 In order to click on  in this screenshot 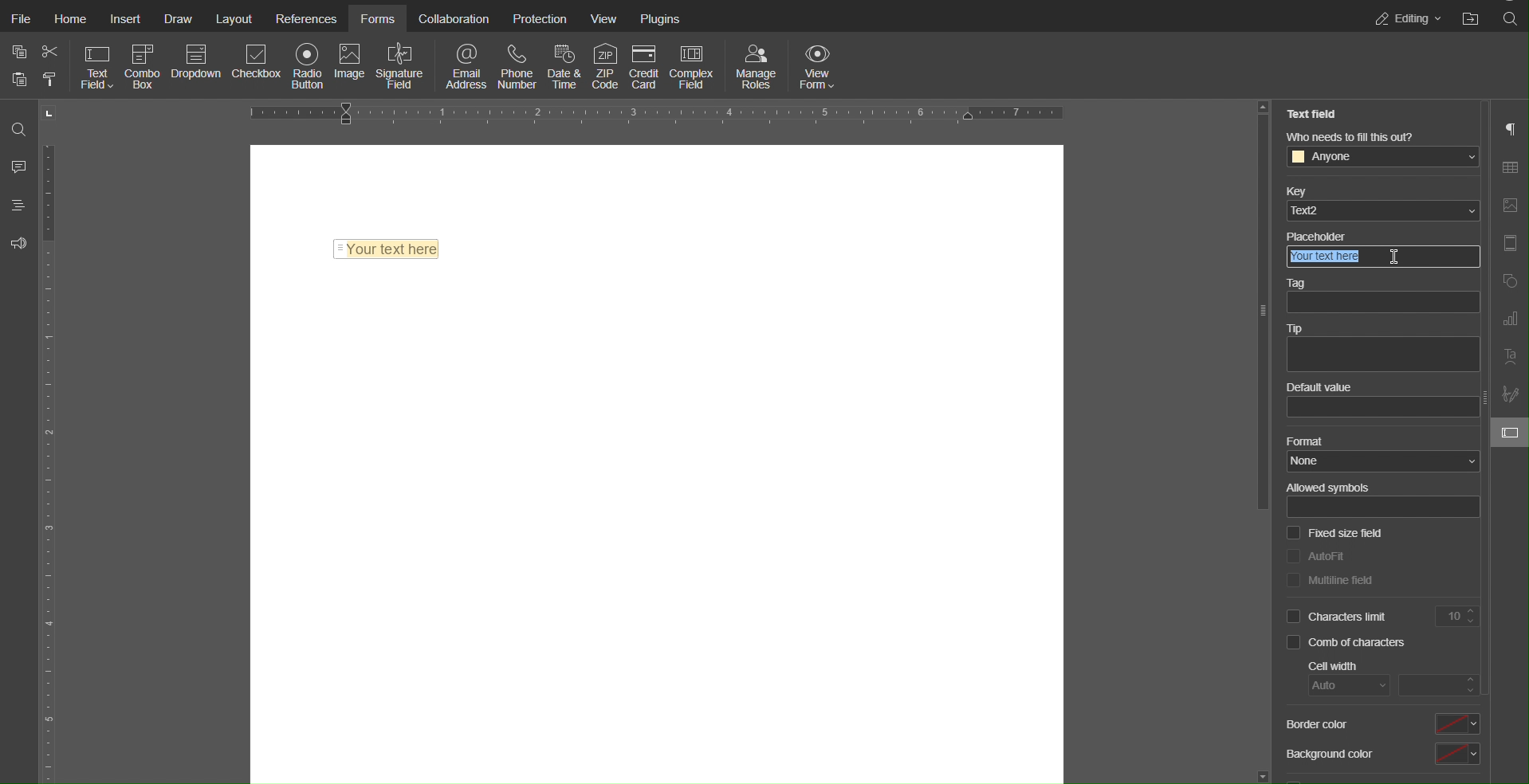, I will do `click(1255, 312)`.